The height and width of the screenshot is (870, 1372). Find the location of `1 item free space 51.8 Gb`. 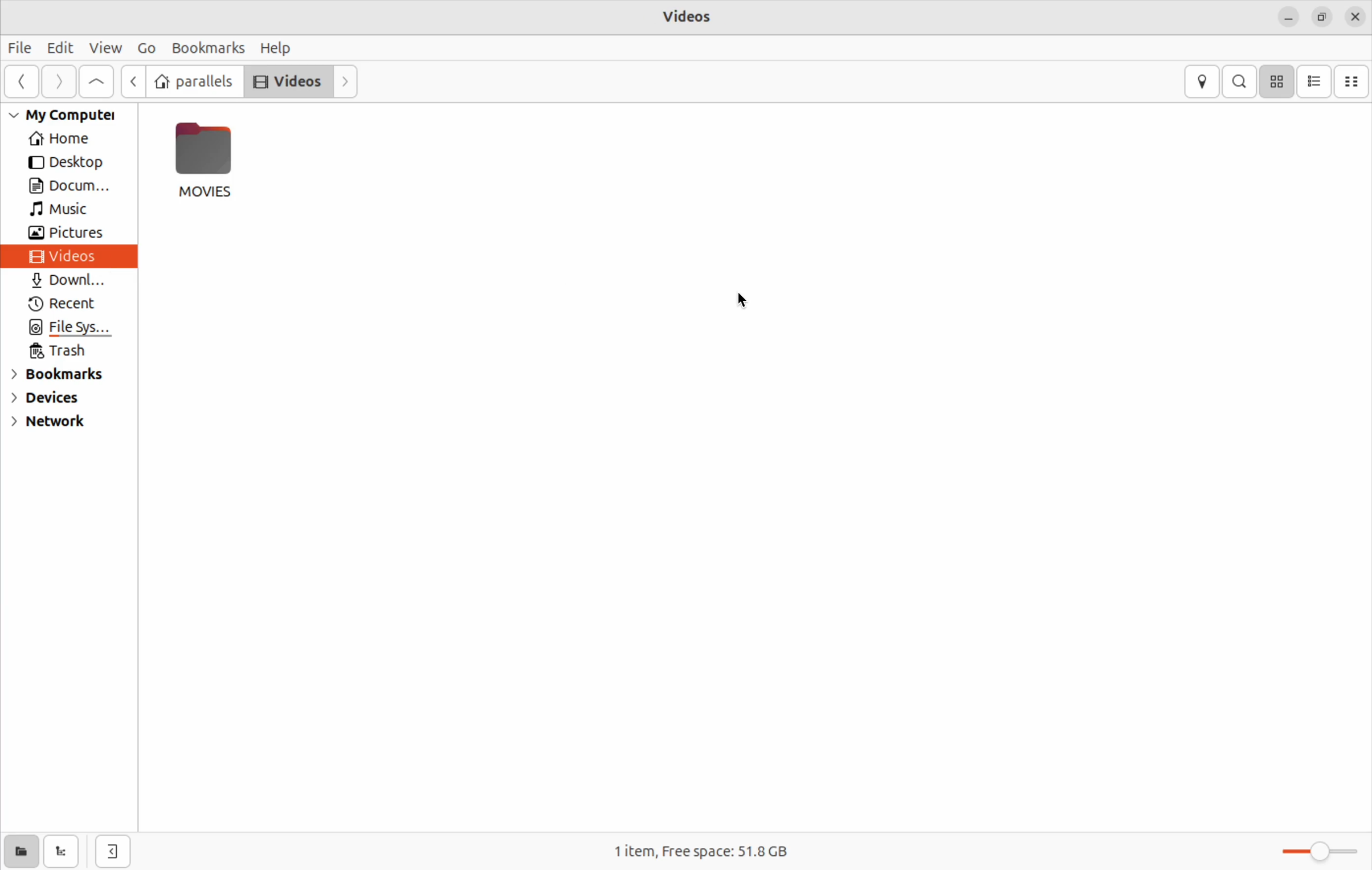

1 item free space 51.8 Gb is located at coordinates (700, 851).